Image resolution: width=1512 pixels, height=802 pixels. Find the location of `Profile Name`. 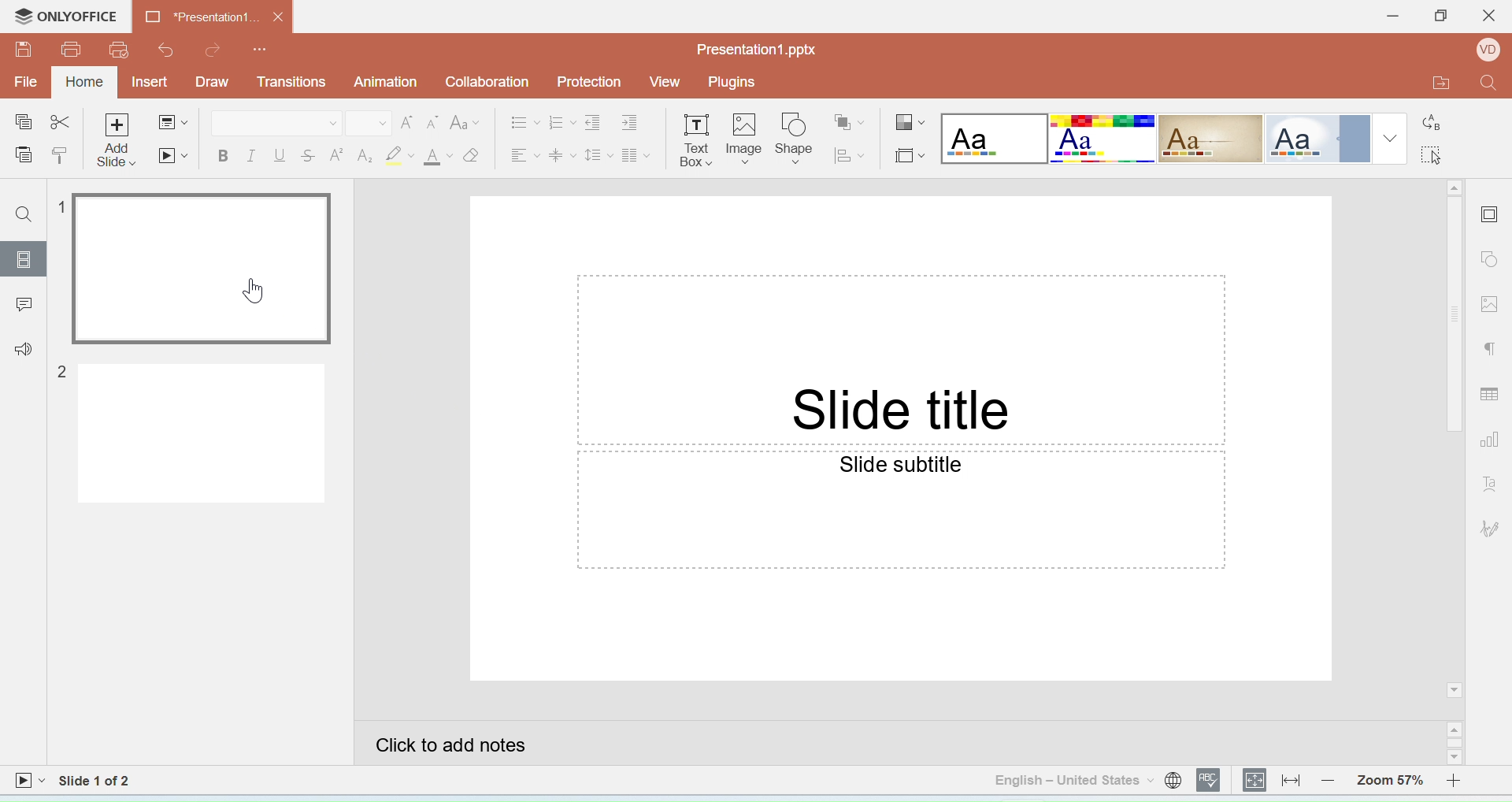

Profile Name is located at coordinates (1484, 52).